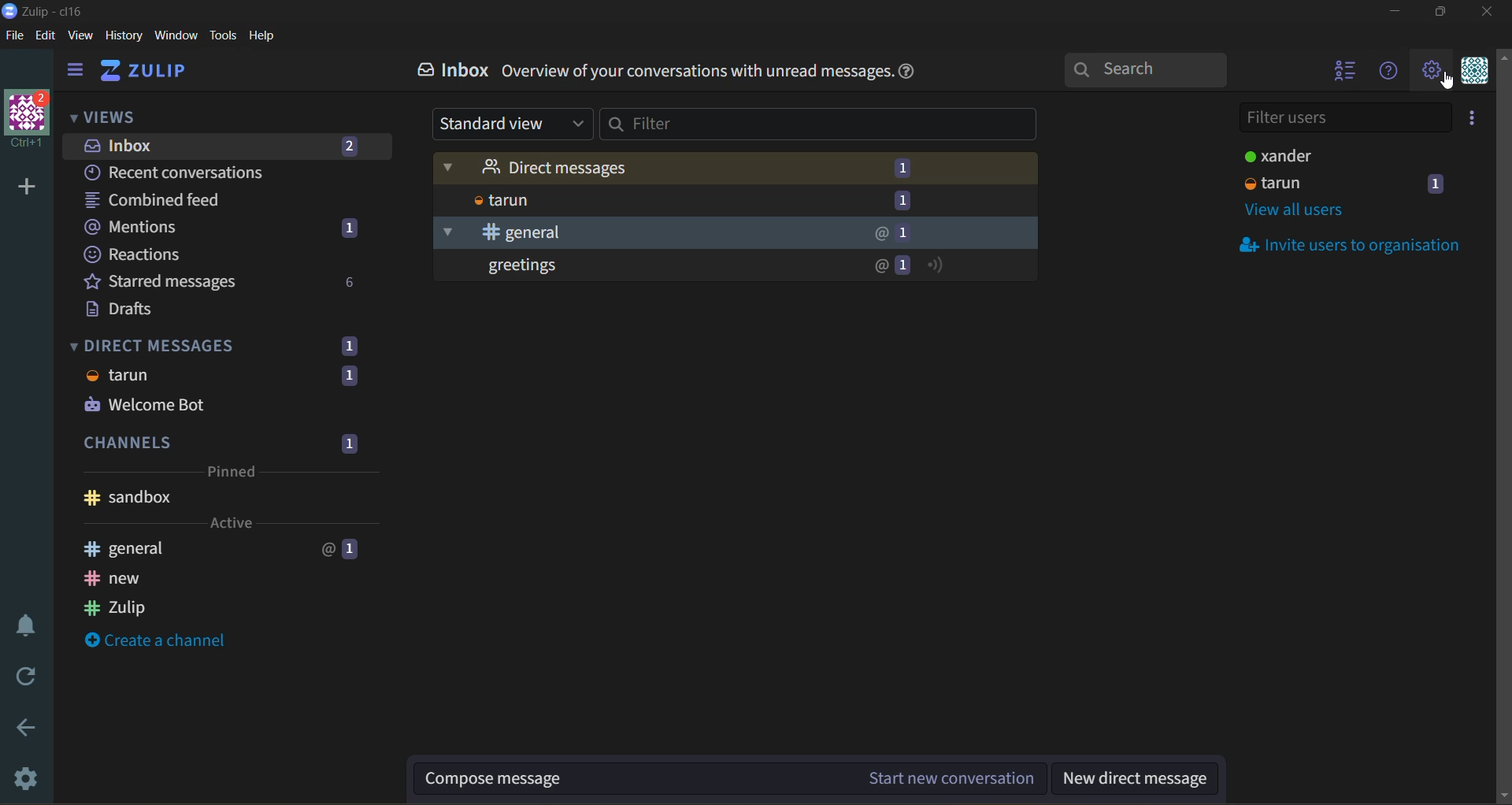 The height and width of the screenshot is (805, 1512). What do you see at coordinates (230, 282) in the screenshot?
I see `starred messages` at bounding box center [230, 282].